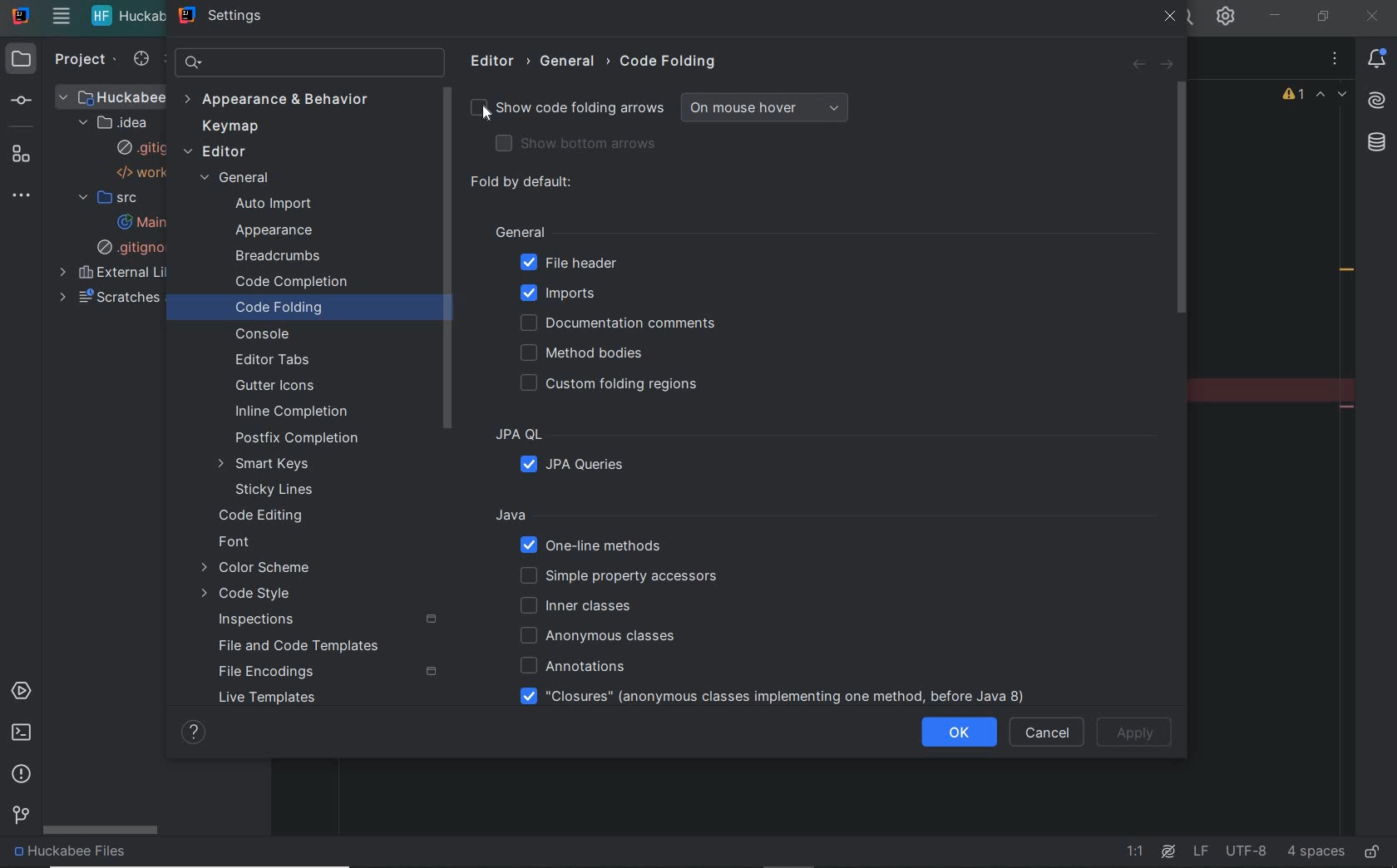  Describe the element at coordinates (278, 362) in the screenshot. I see `edit tabs` at that location.